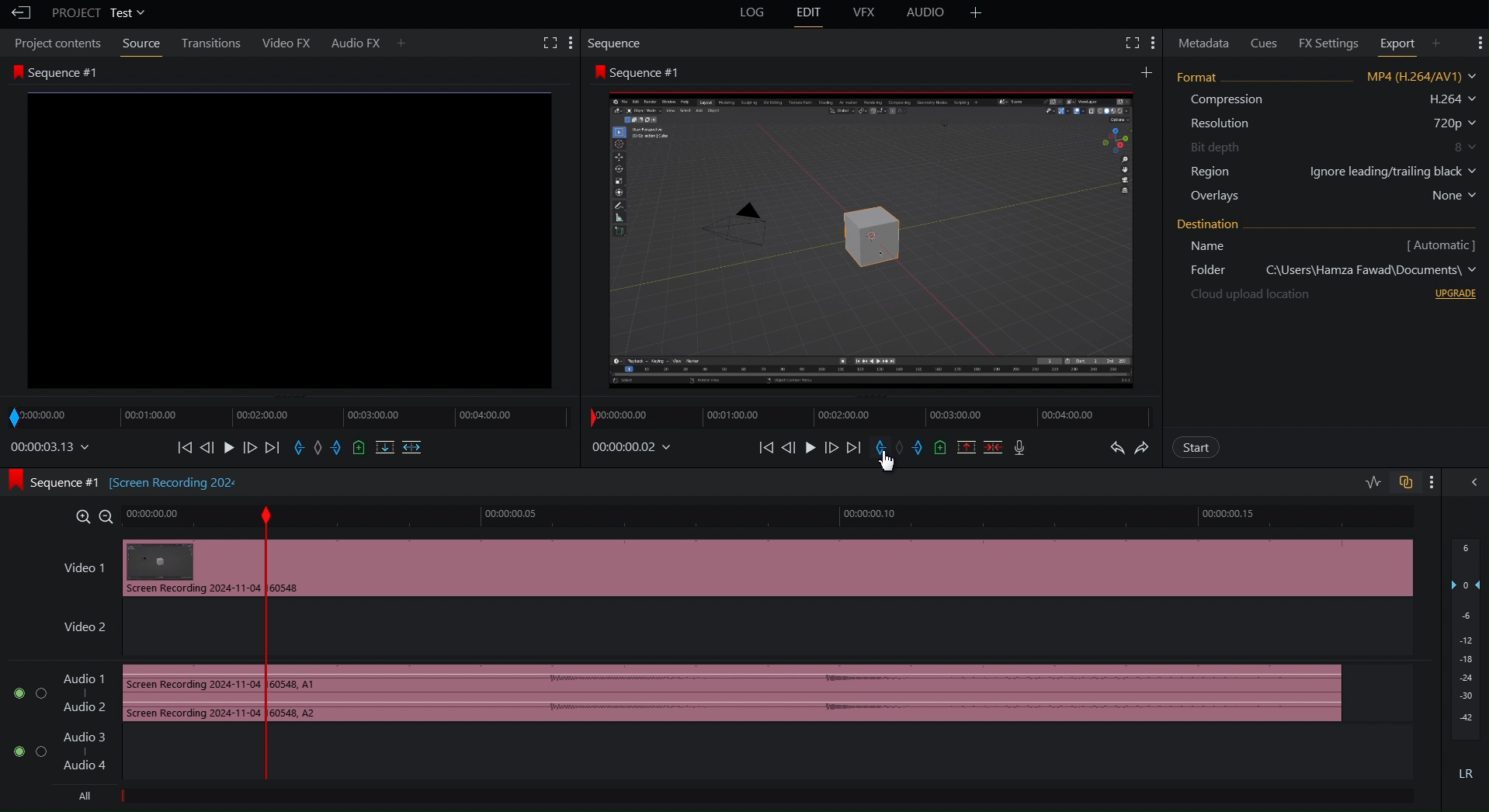 Image resolution: width=1489 pixels, height=812 pixels. What do you see at coordinates (76, 625) in the screenshot?
I see `Video 2` at bounding box center [76, 625].